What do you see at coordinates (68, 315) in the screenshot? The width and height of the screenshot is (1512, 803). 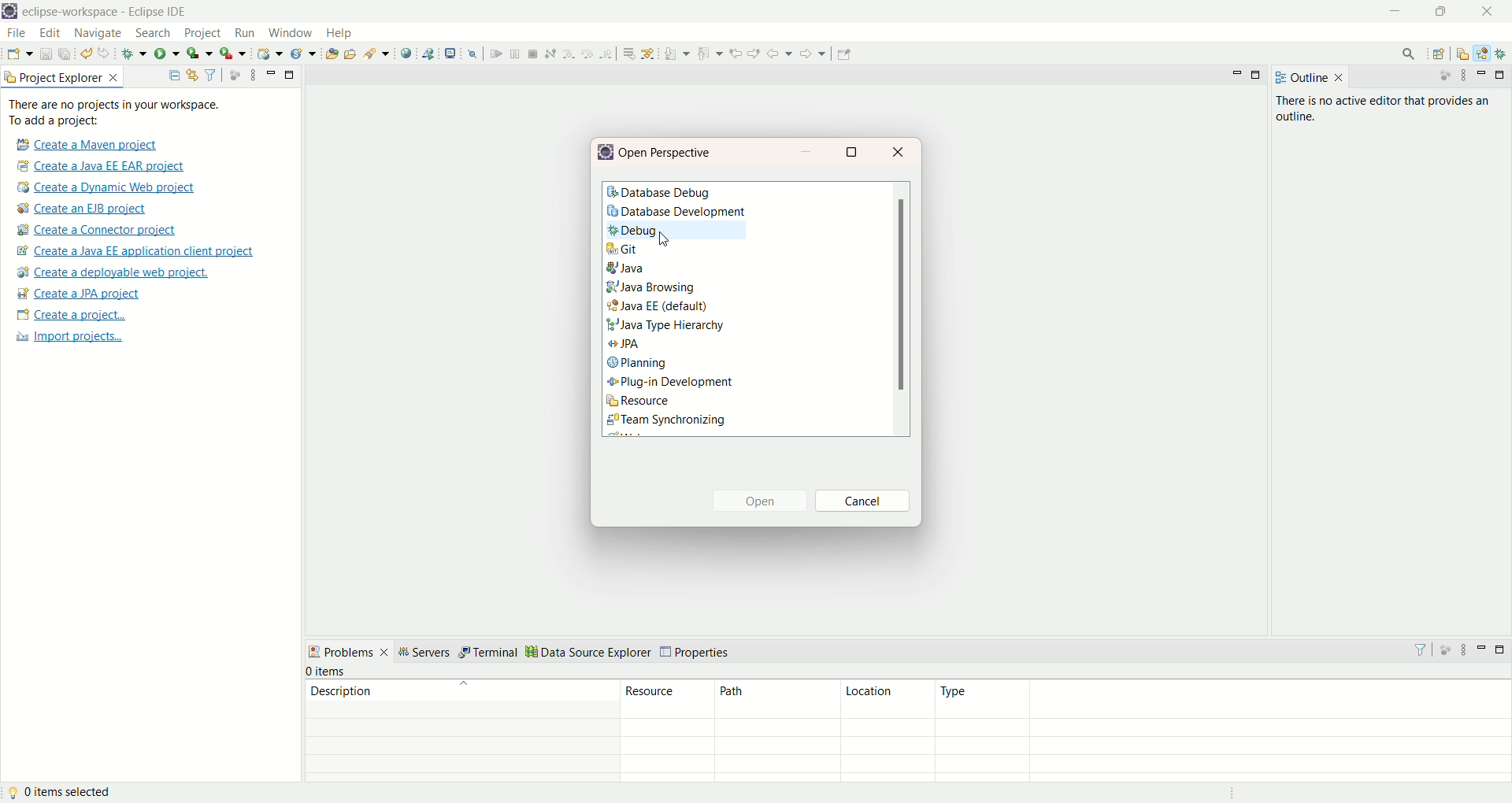 I see `create project` at bounding box center [68, 315].